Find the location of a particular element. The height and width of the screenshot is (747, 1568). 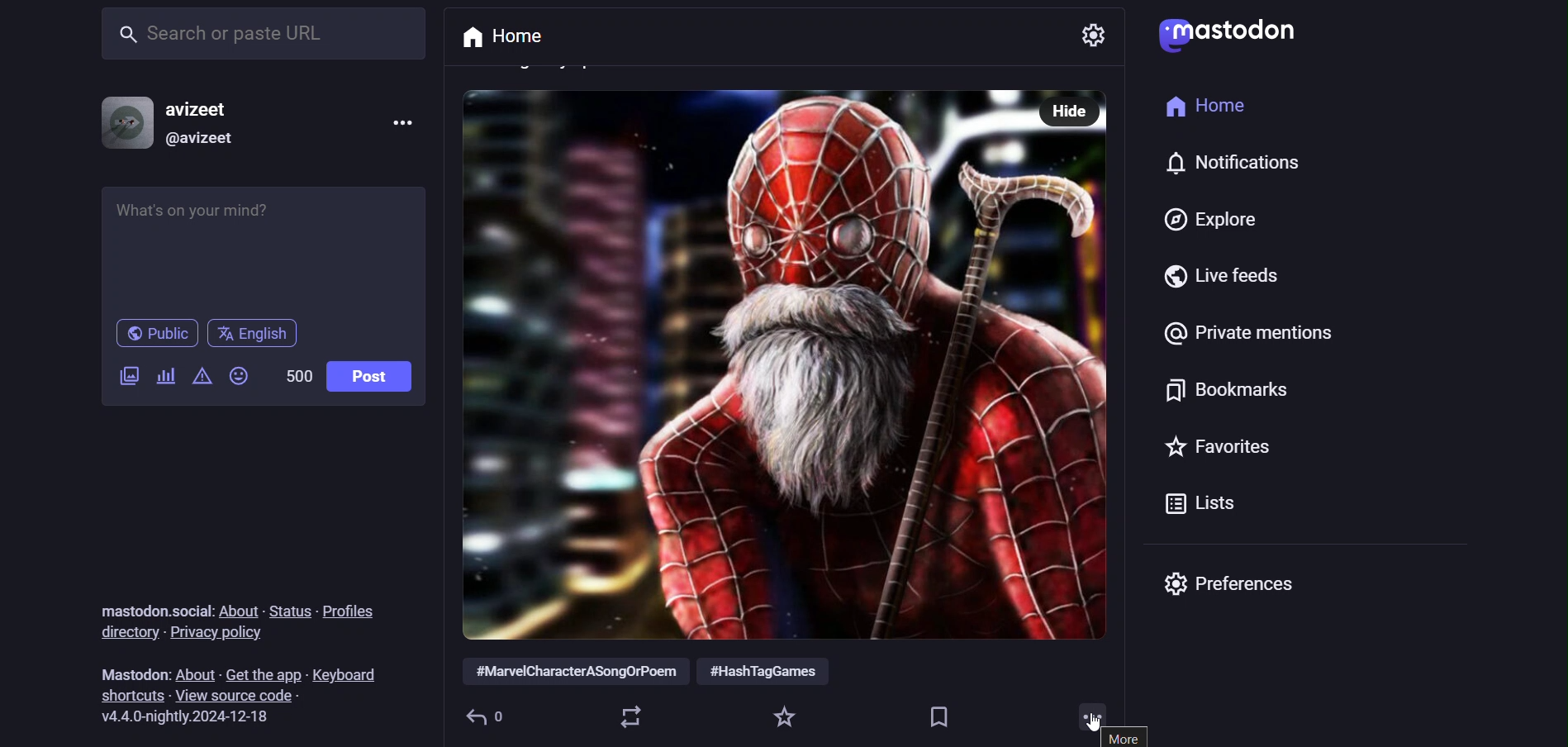

logo is located at coordinates (1227, 34).